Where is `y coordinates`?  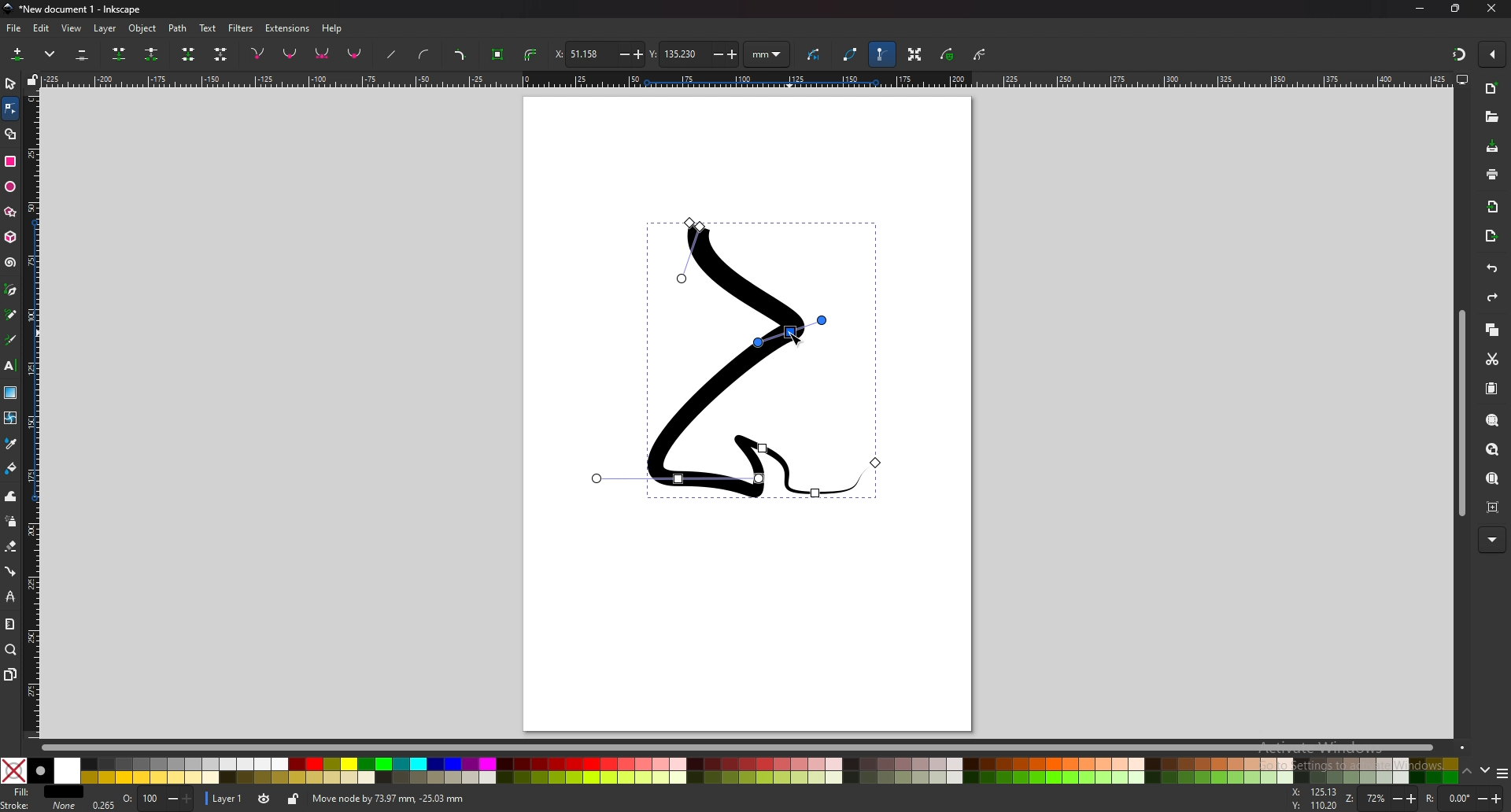 y coordinates is located at coordinates (693, 54).